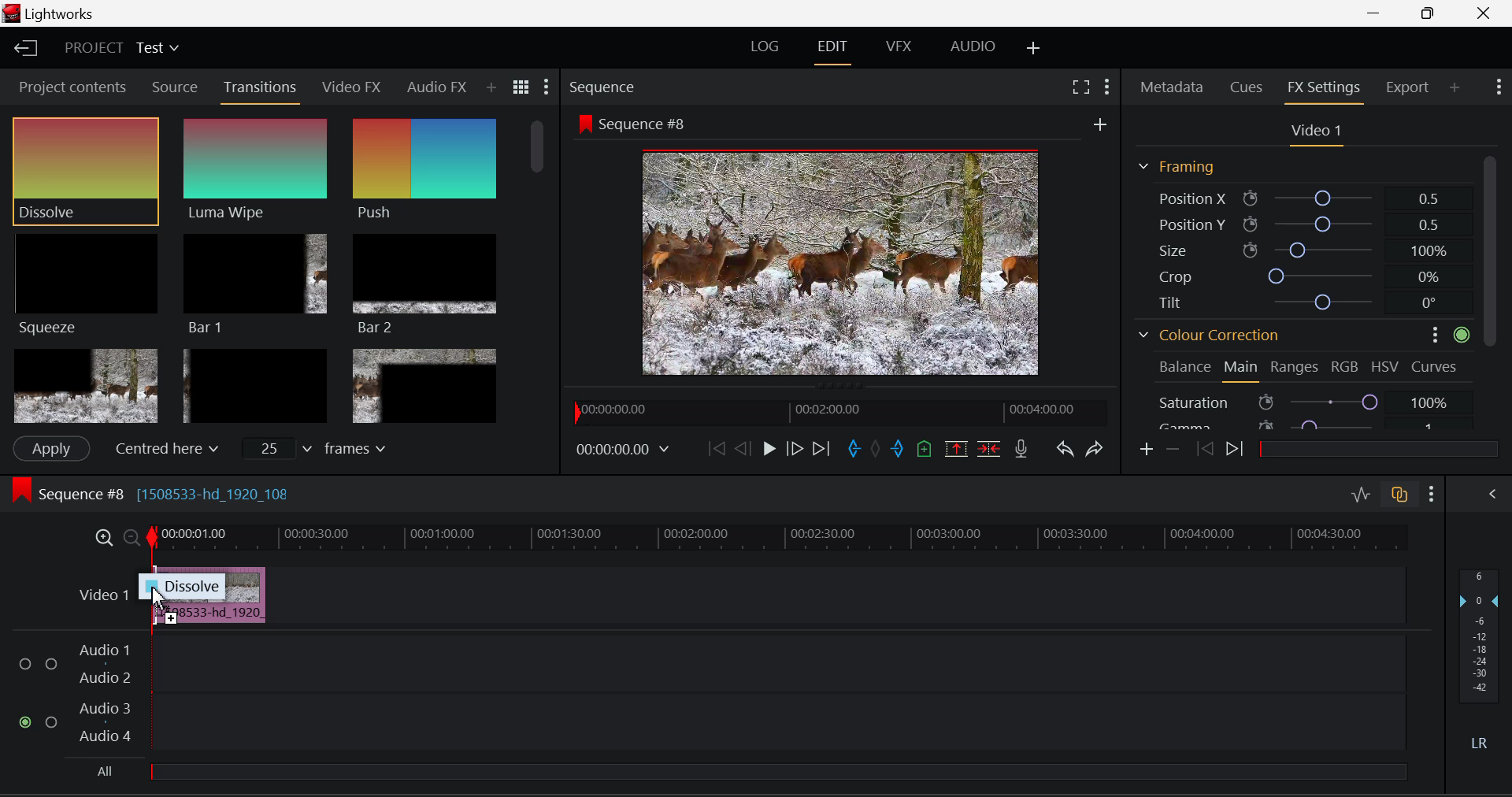  I want to click on Dissolve, so click(186, 584).